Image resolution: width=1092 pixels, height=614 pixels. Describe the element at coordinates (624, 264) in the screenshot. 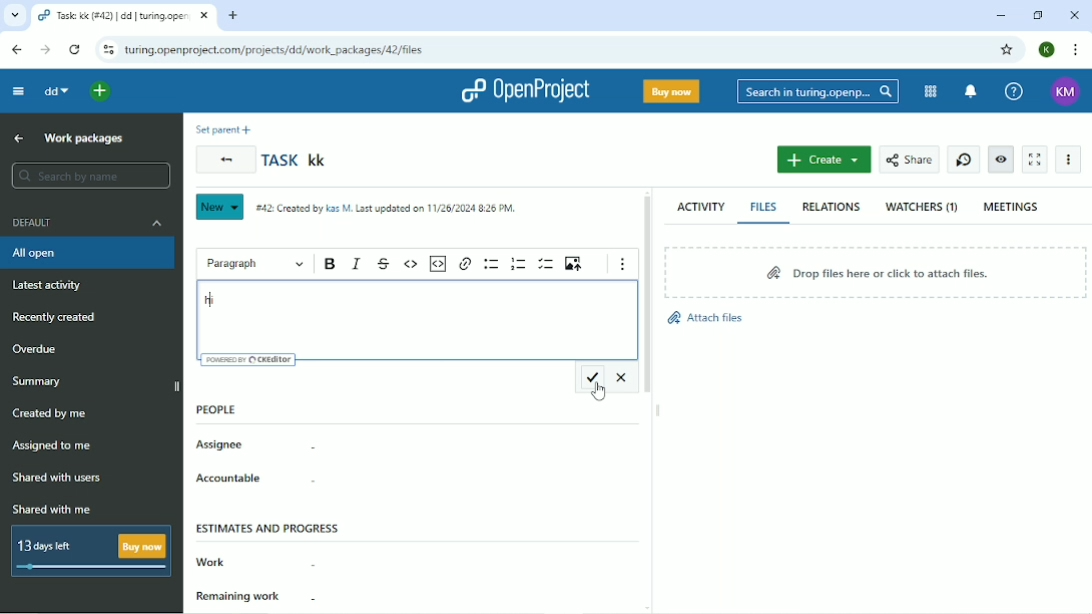

I see `Show more items` at that location.